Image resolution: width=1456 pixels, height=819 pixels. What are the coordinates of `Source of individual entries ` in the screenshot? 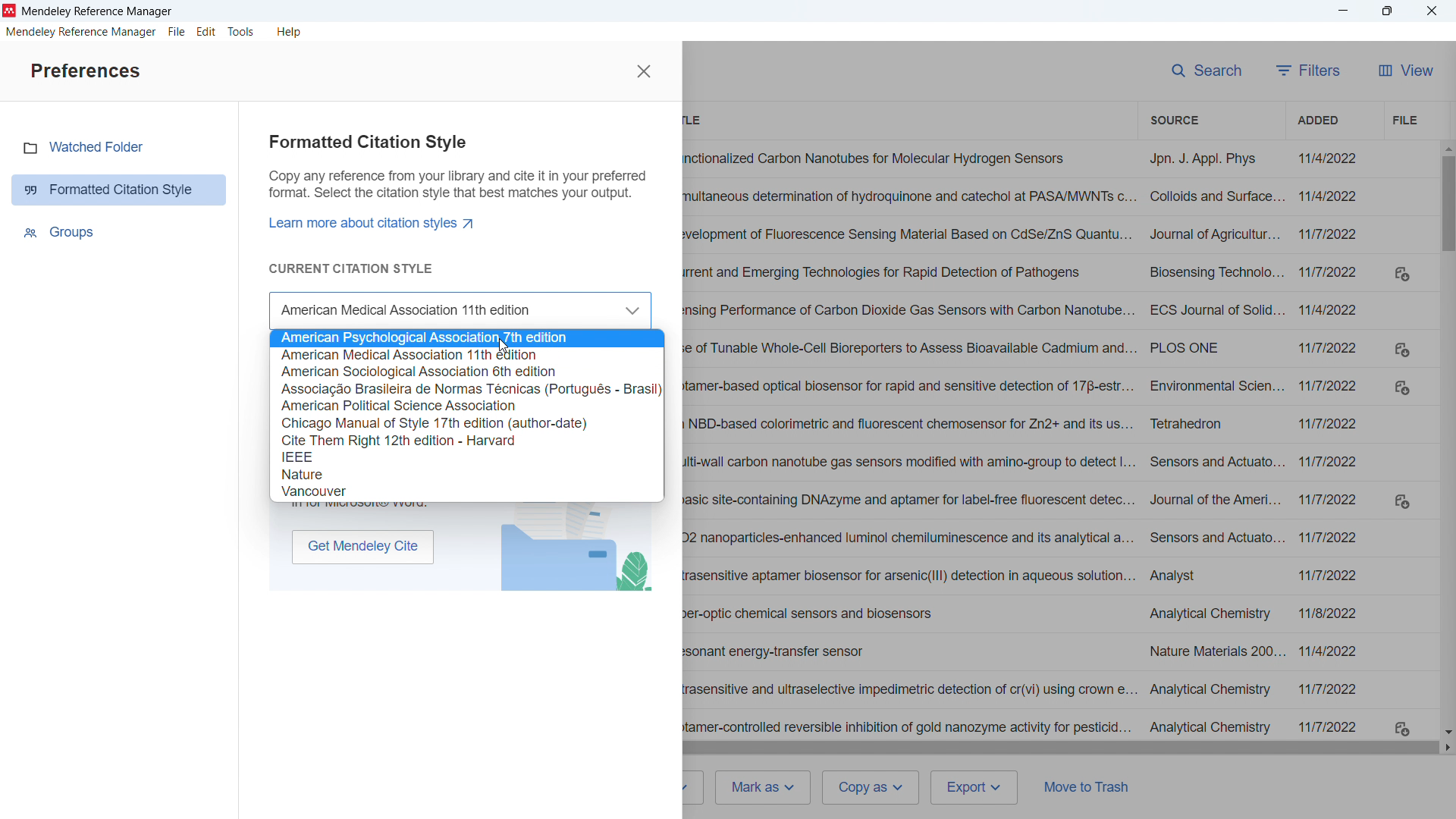 It's located at (1213, 442).